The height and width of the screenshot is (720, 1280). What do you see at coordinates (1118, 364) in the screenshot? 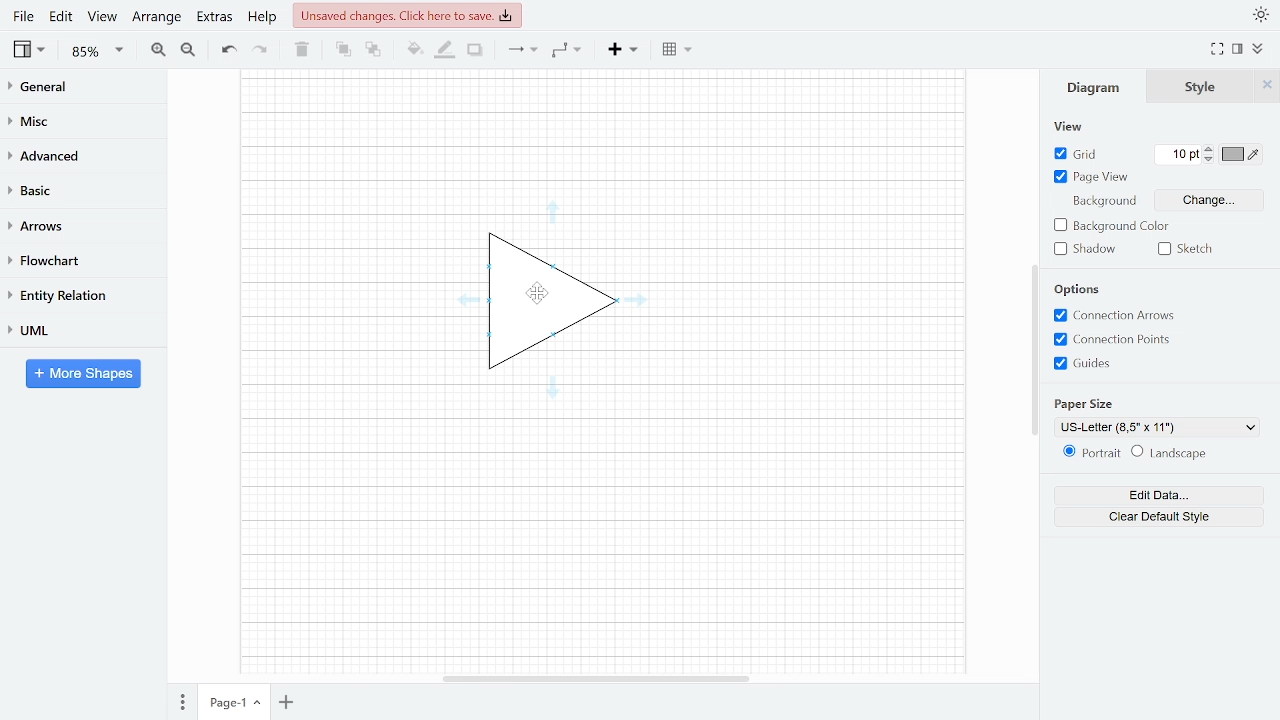
I see `Guides` at bounding box center [1118, 364].